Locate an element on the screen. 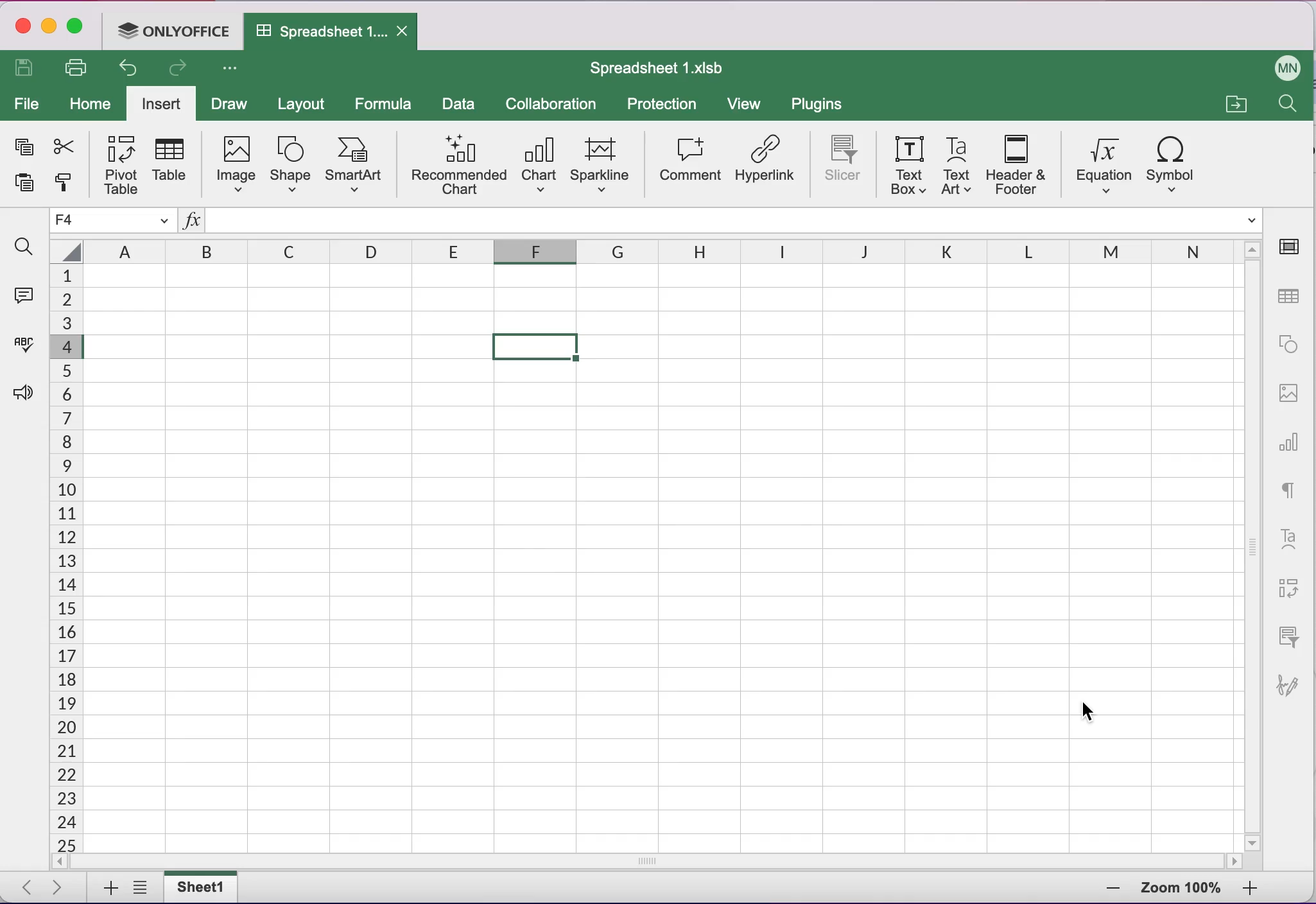 The width and height of the screenshot is (1316, 904). home is located at coordinates (85, 102).